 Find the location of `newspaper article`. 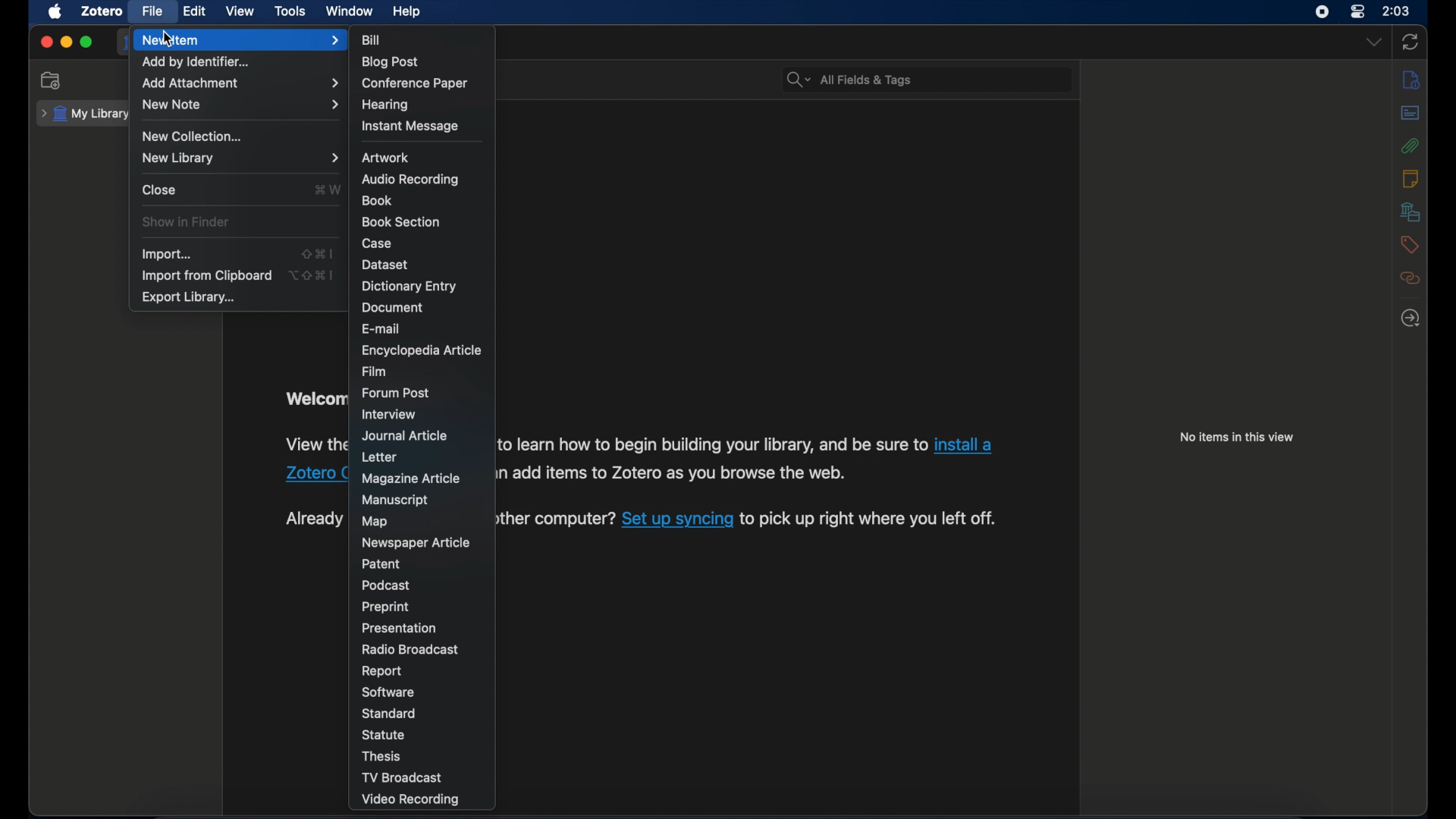

newspaper article is located at coordinates (417, 544).